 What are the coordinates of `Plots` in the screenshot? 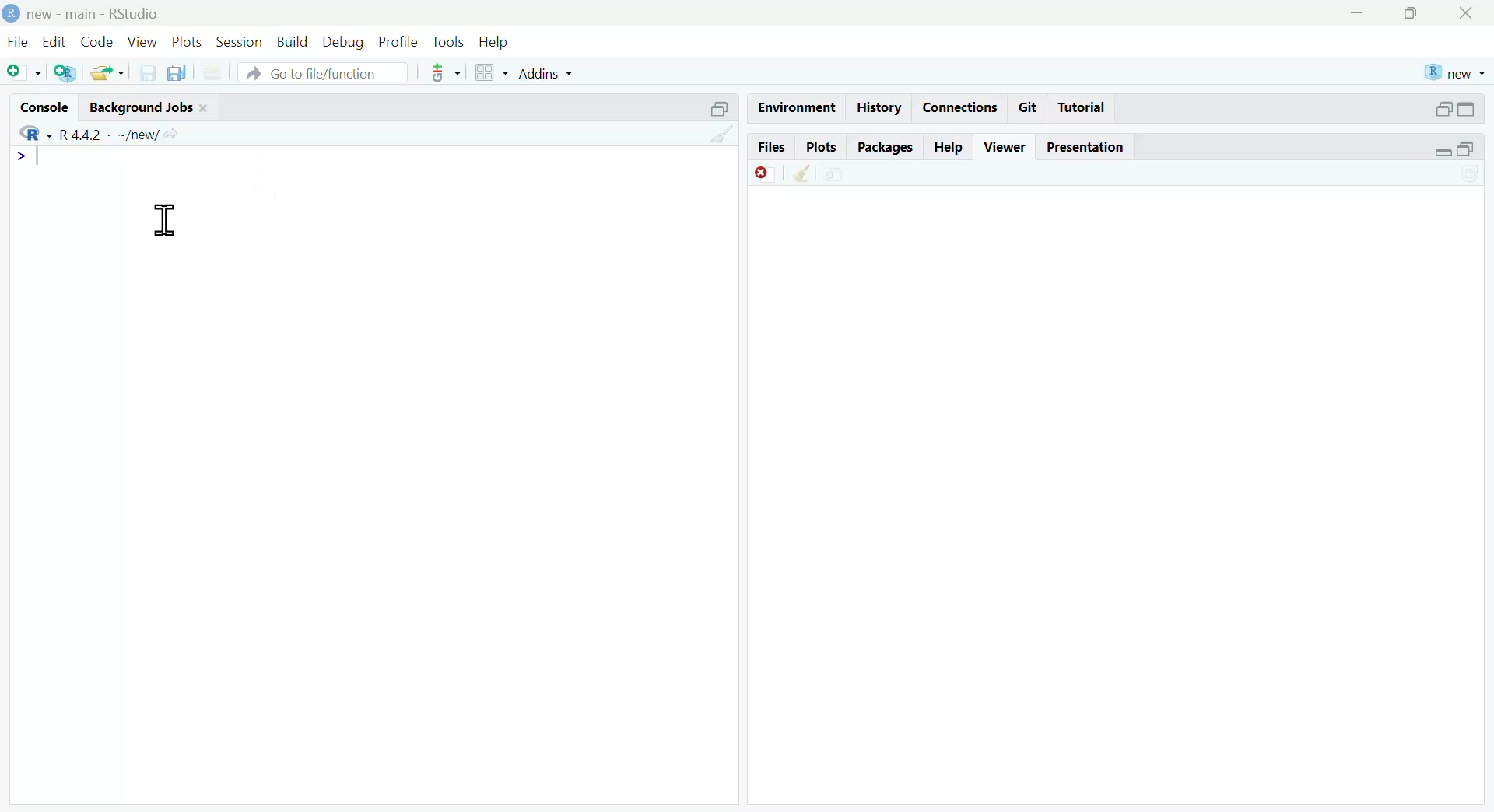 It's located at (186, 42).